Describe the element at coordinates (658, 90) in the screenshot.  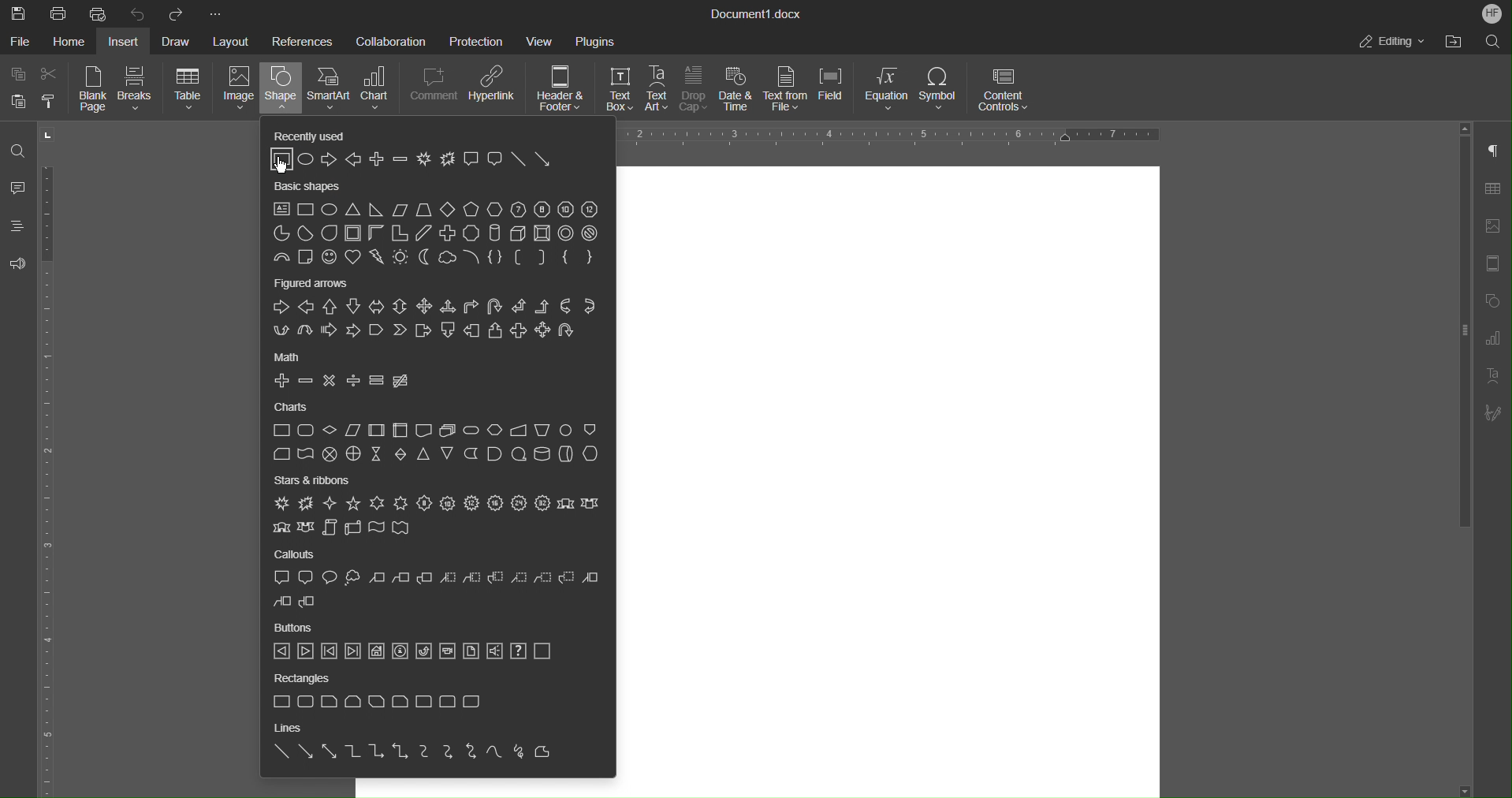
I see `Text Art` at that location.